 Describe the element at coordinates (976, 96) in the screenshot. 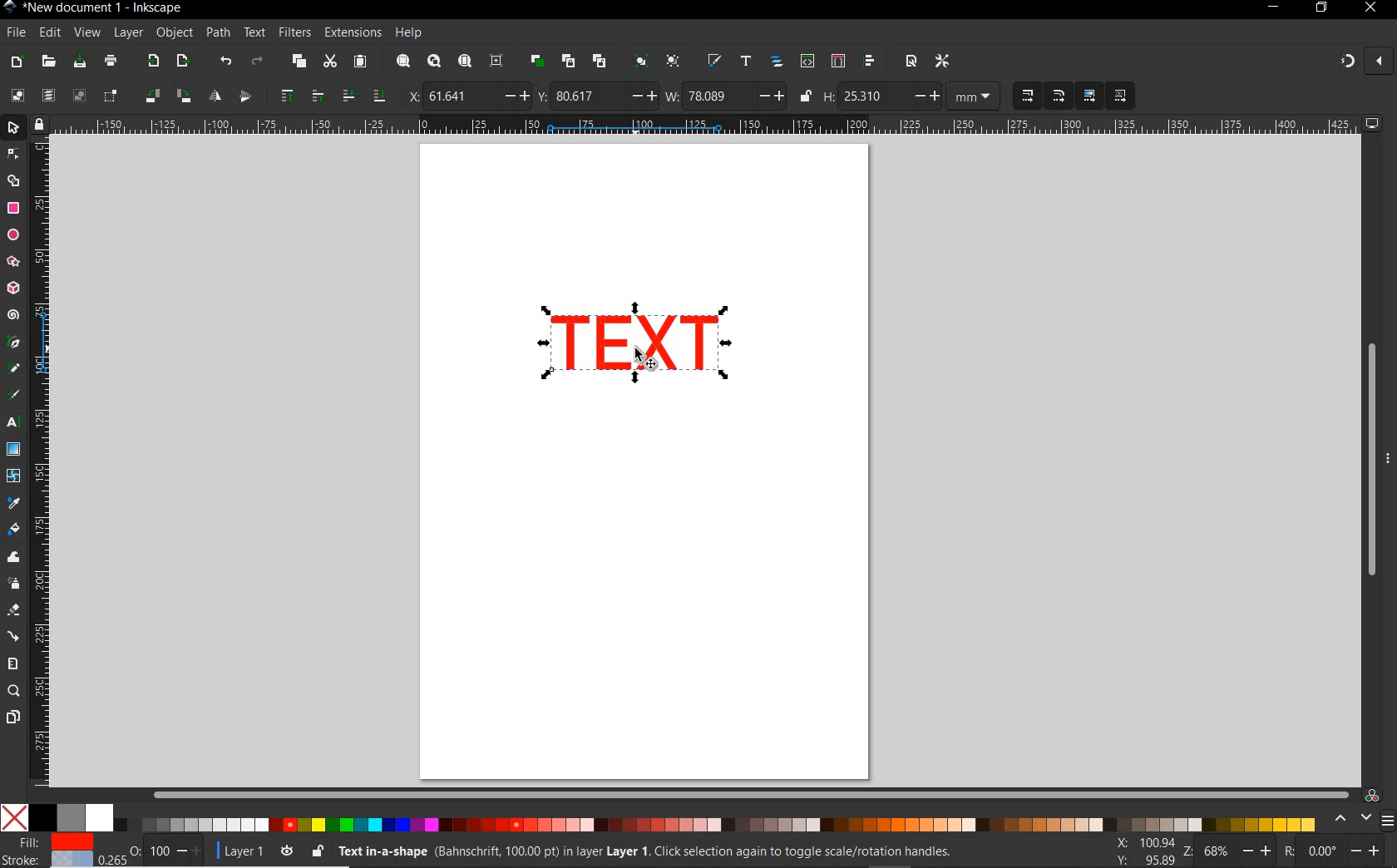

I see `MEASUREMENT` at that location.